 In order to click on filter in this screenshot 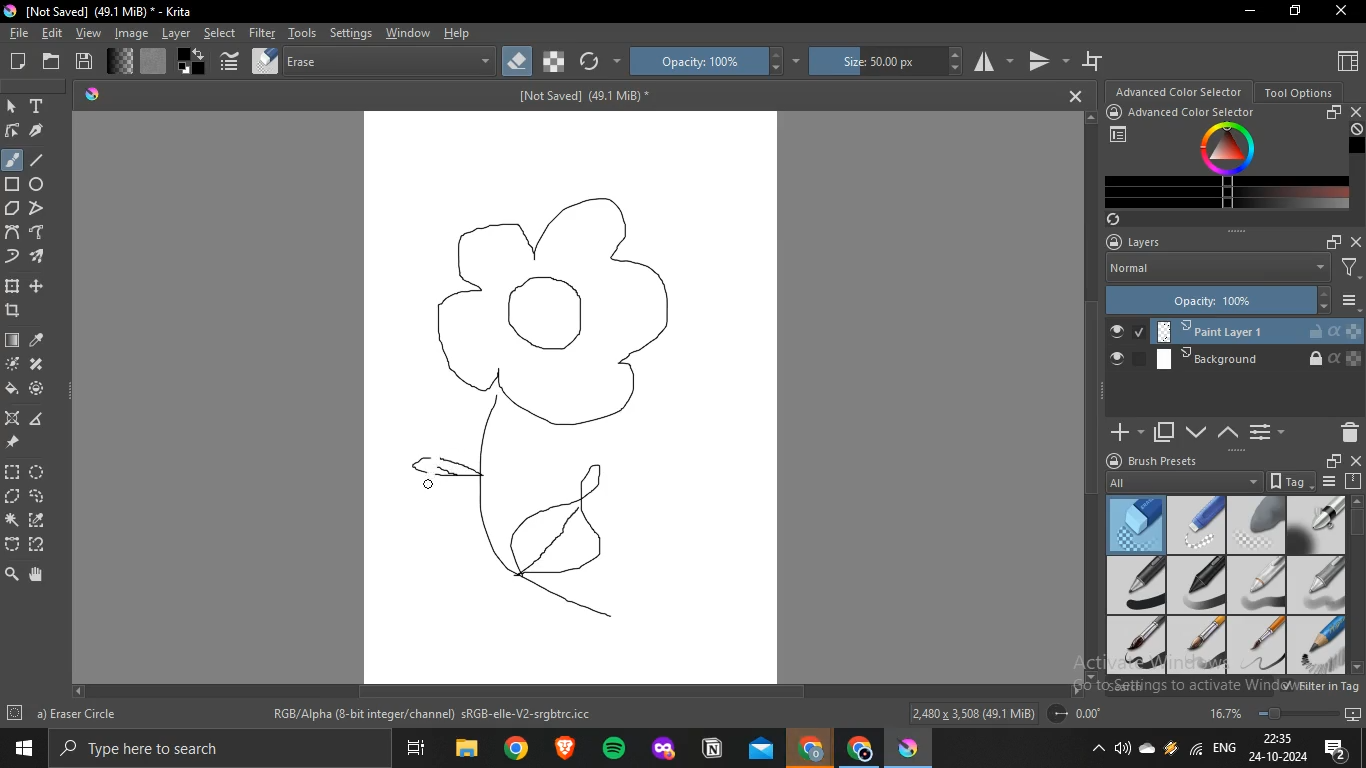, I will do `click(260, 33)`.